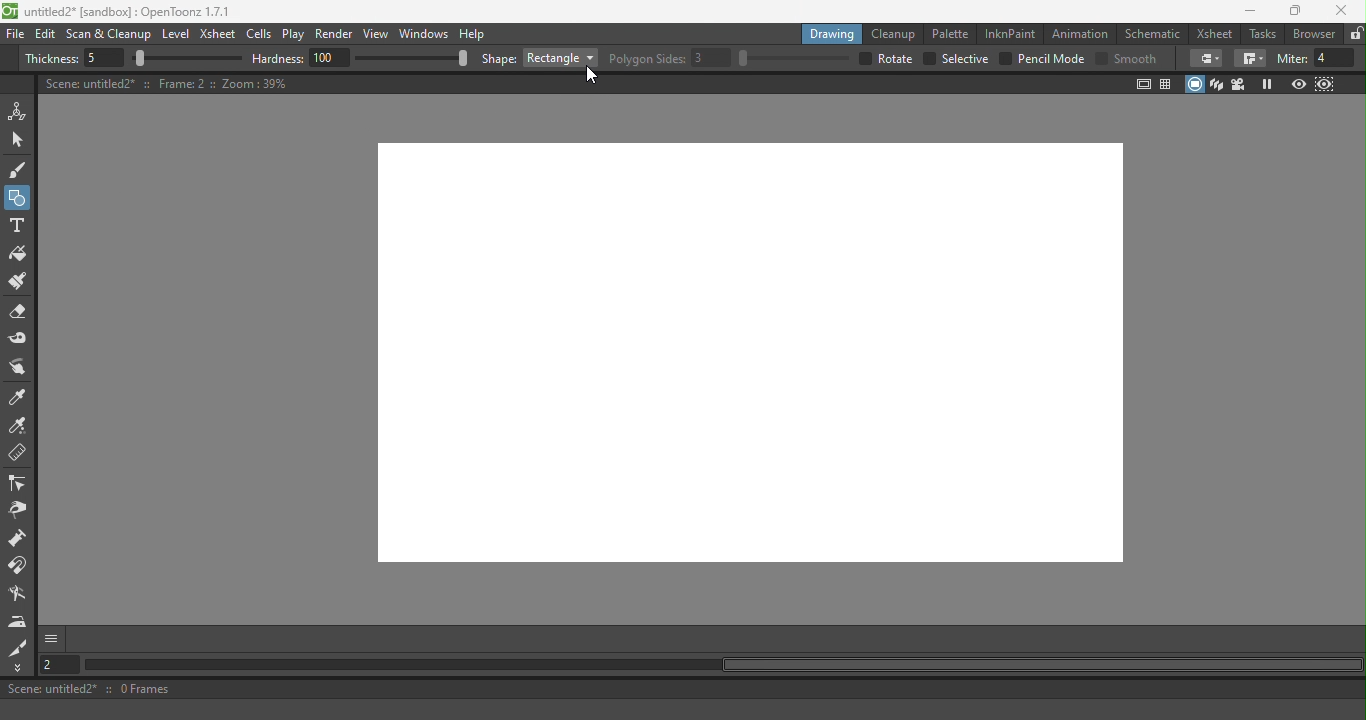  I want to click on Eraser tool, so click(21, 315).